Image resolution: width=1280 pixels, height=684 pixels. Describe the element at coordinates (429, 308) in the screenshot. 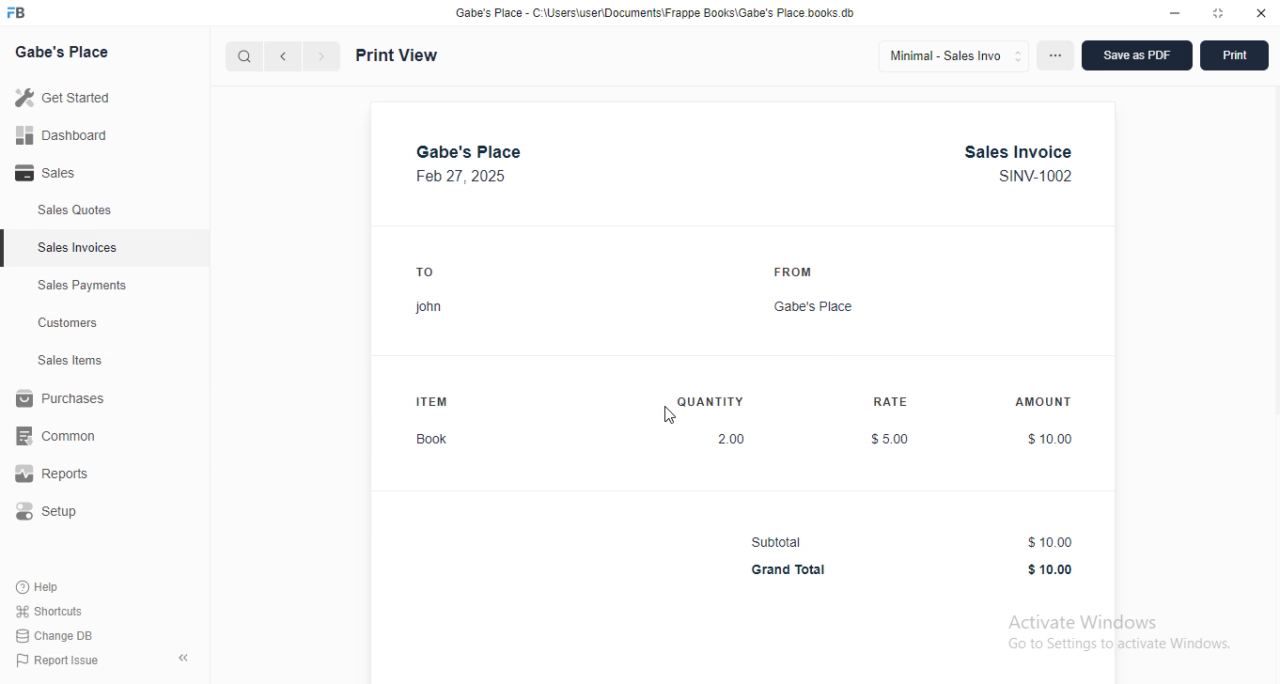

I see `john` at that location.